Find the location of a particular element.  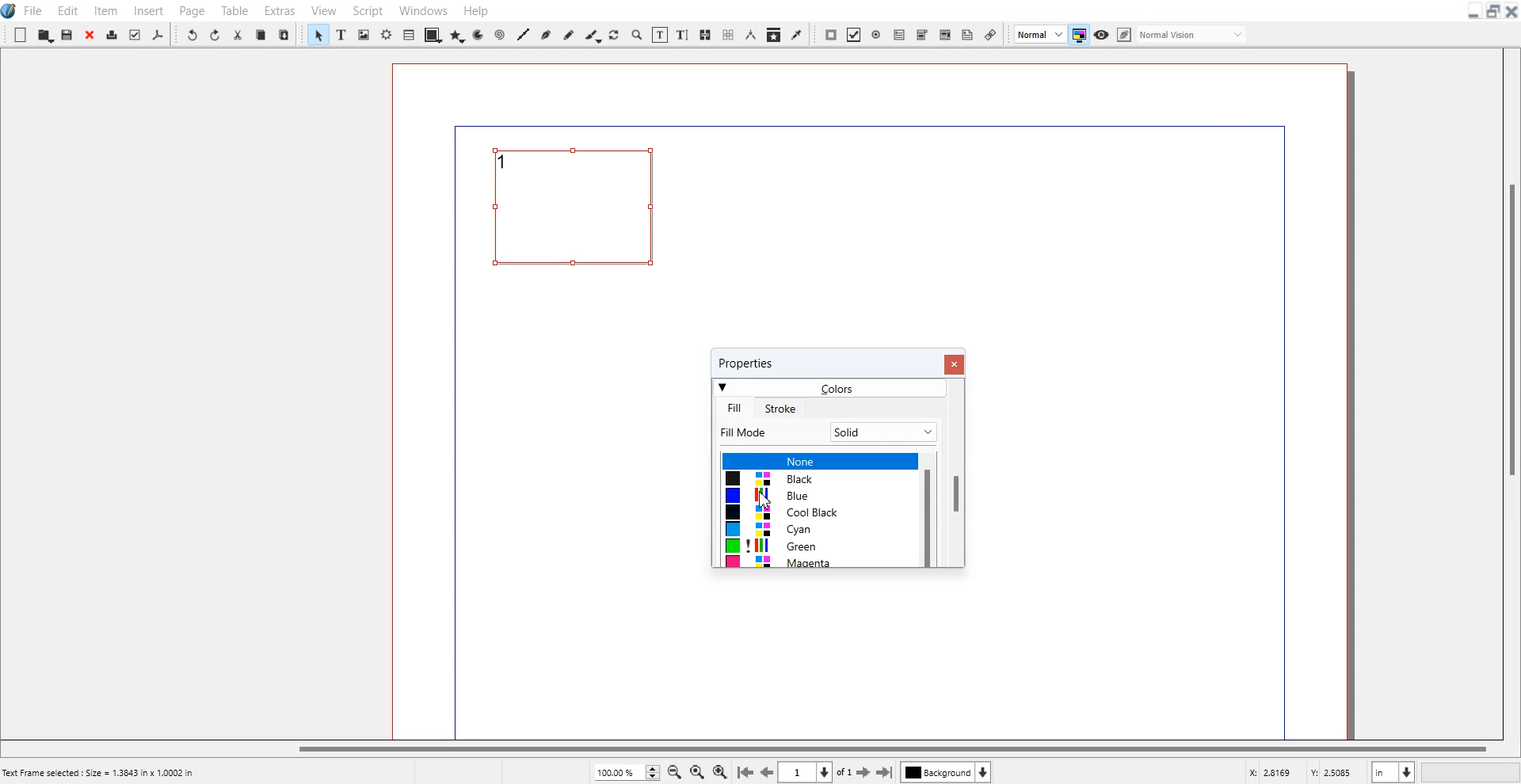

Copy is located at coordinates (261, 33).